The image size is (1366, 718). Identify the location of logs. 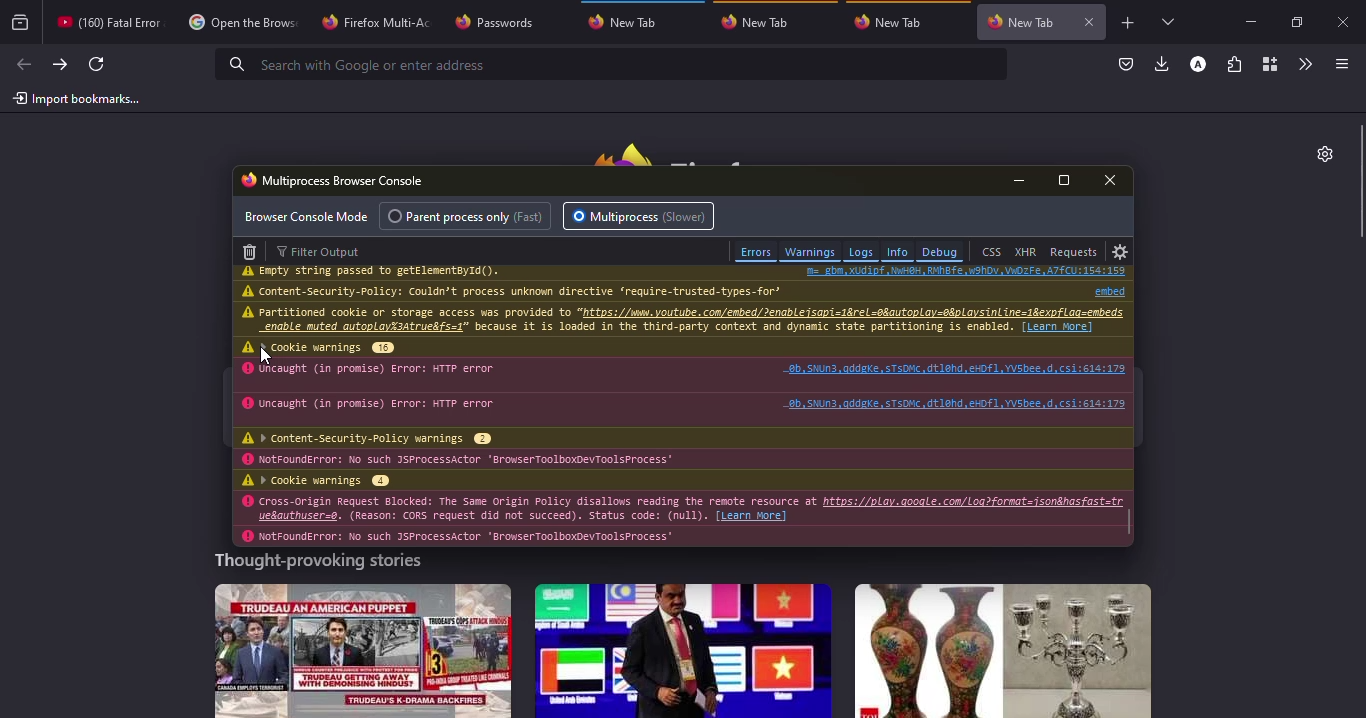
(860, 252).